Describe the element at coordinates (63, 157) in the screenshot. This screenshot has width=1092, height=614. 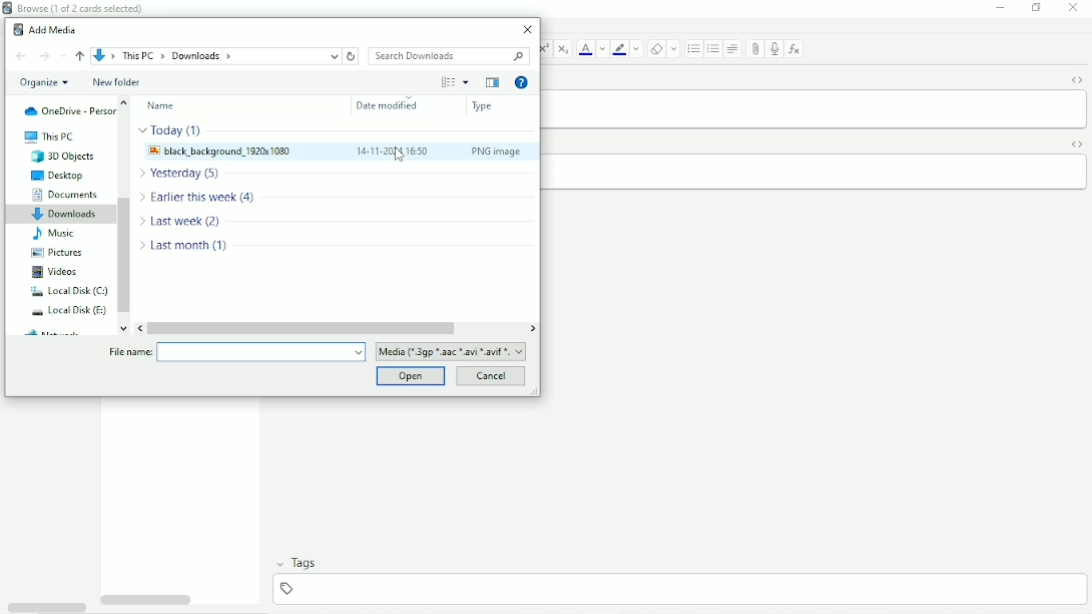
I see `3D Objects` at that location.